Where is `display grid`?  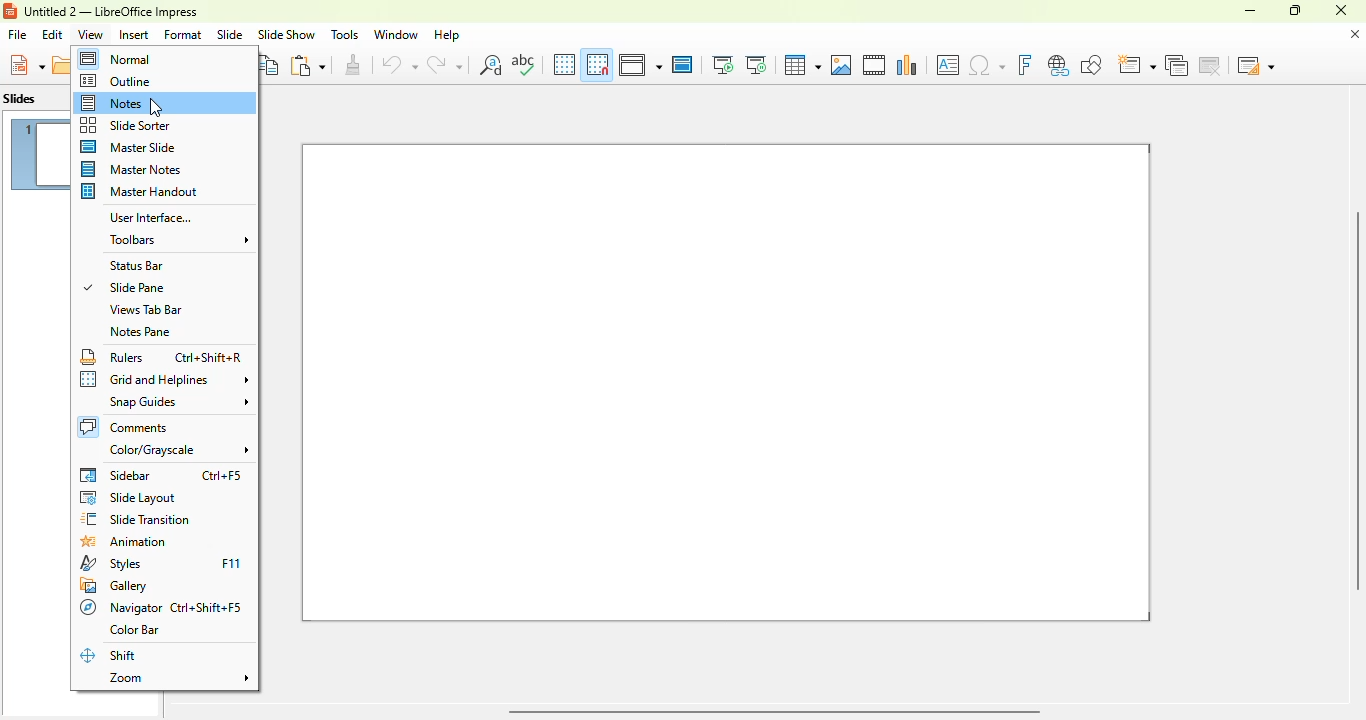 display grid is located at coordinates (564, 65).